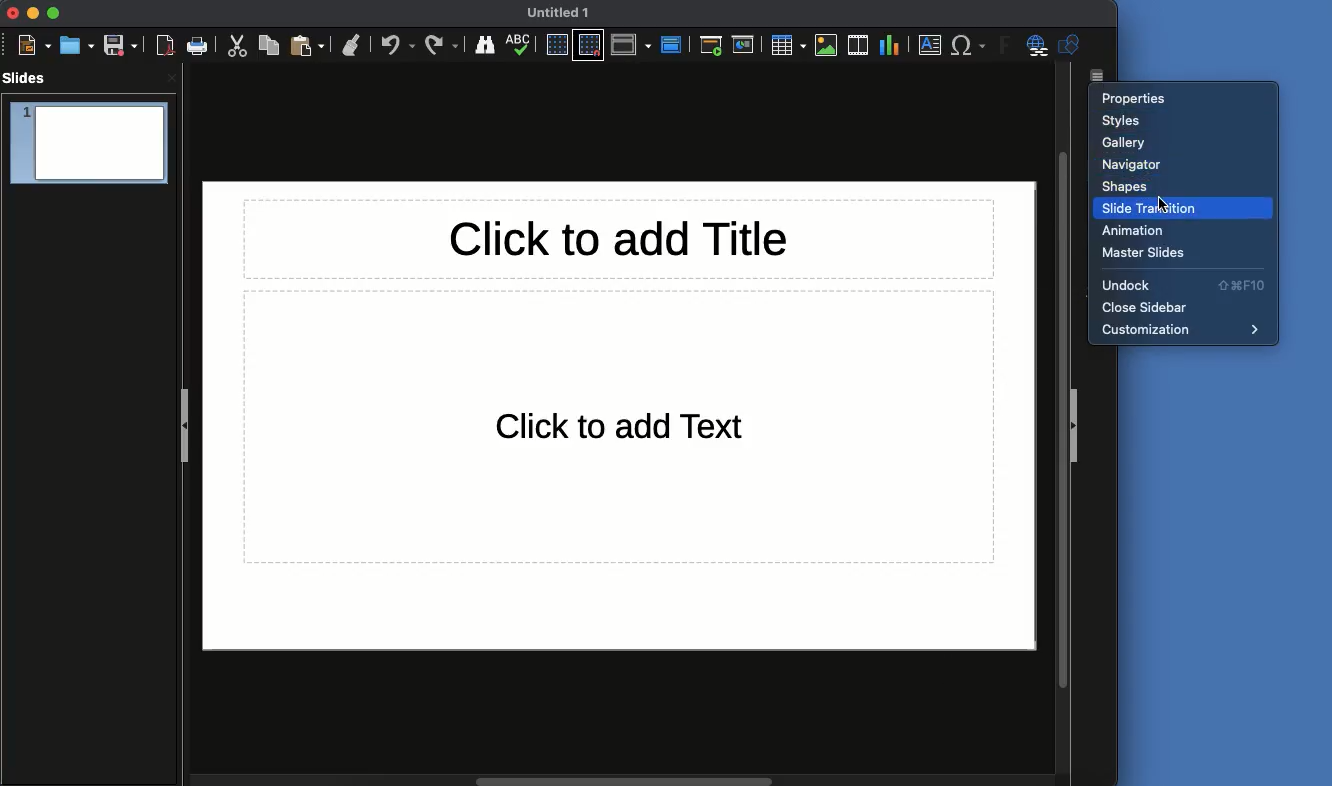 Image resolution: width=1332 pixels, height=786 pixels. What do you see at coordinates (442, 44) in the screenshot?
I see `Redo` at bounding box center [442, 44].